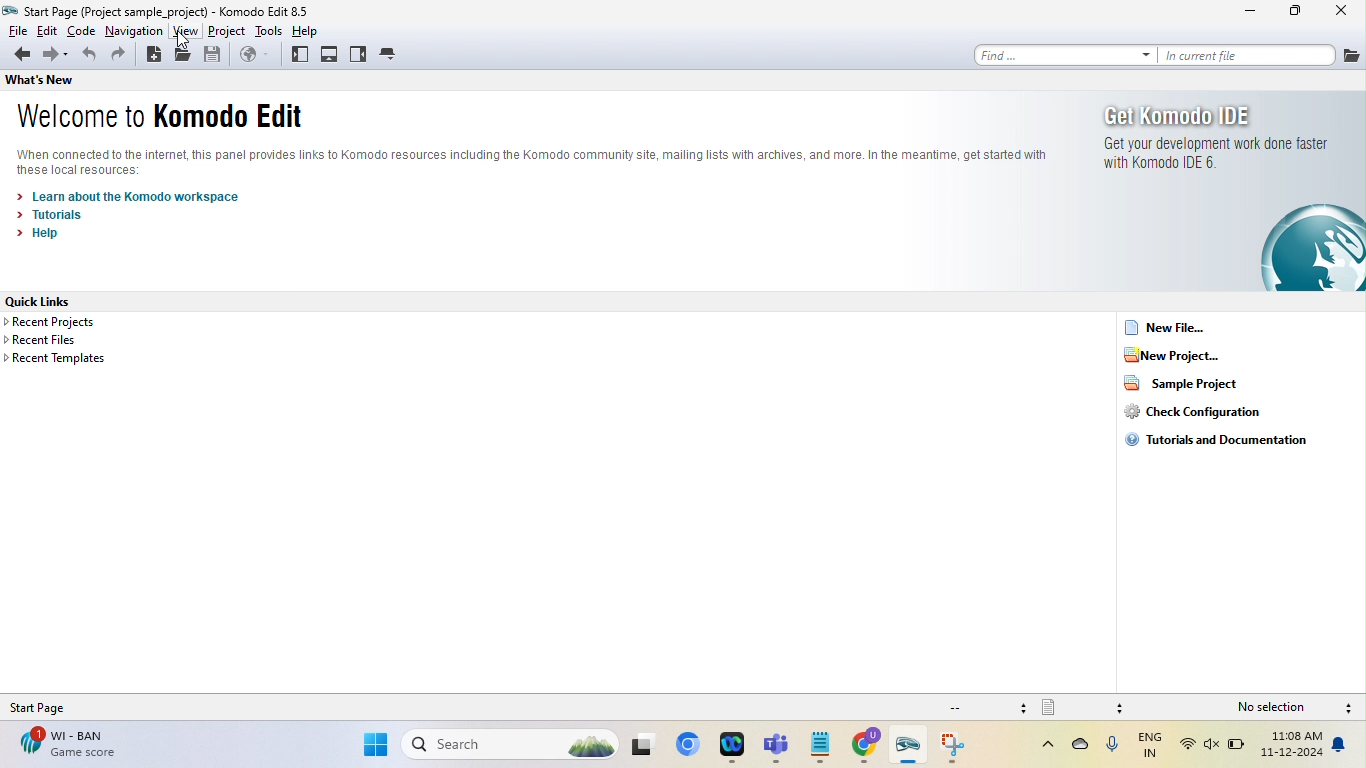 Image resolution: width=1366 pixels, height=768 pixels. What do you see at coordinates (312, 31) in the screenshot?
I see `help` at bounding box center [312, 31].